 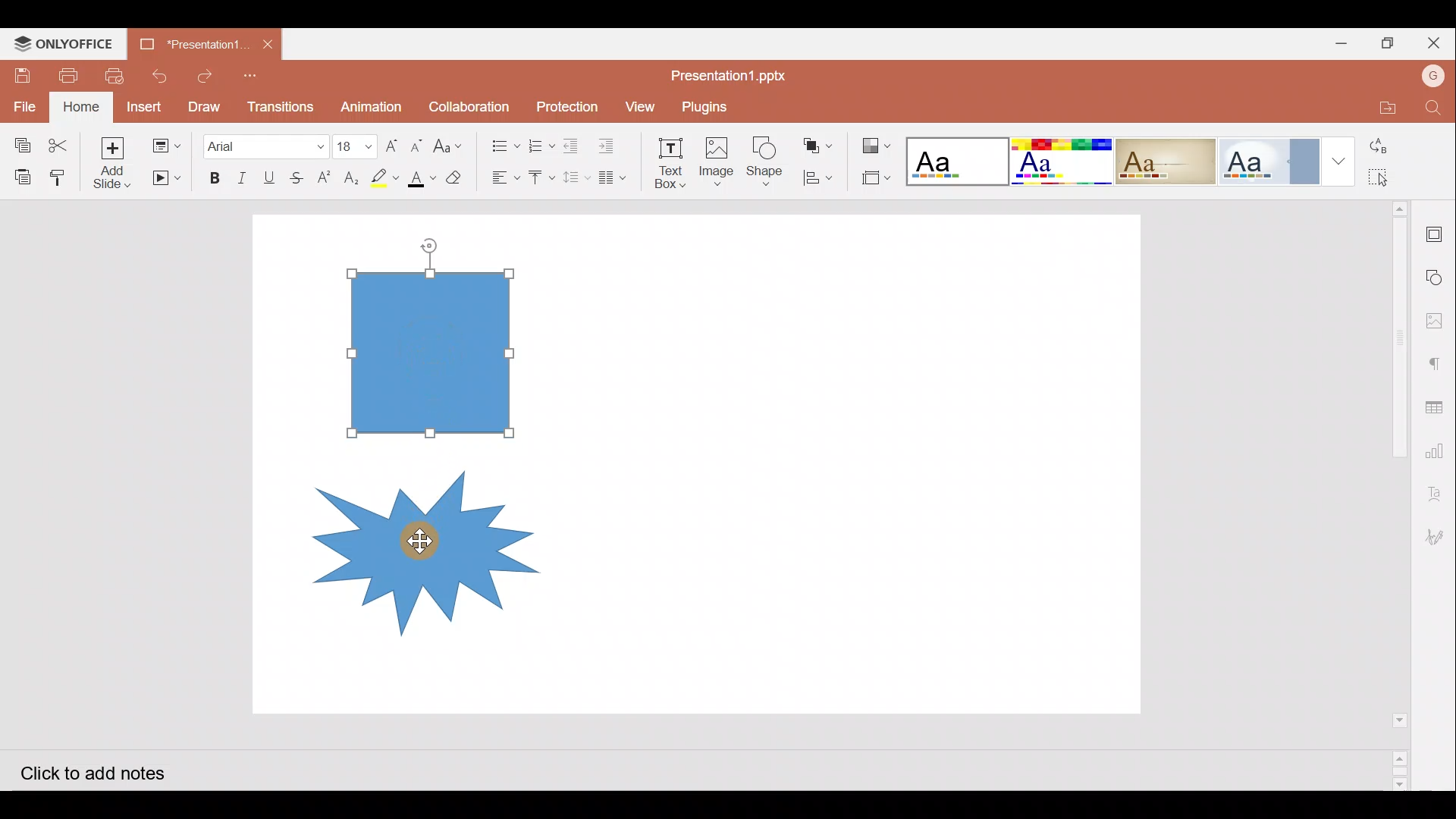 I want to click on Classic, so click(x=1166, y=158).